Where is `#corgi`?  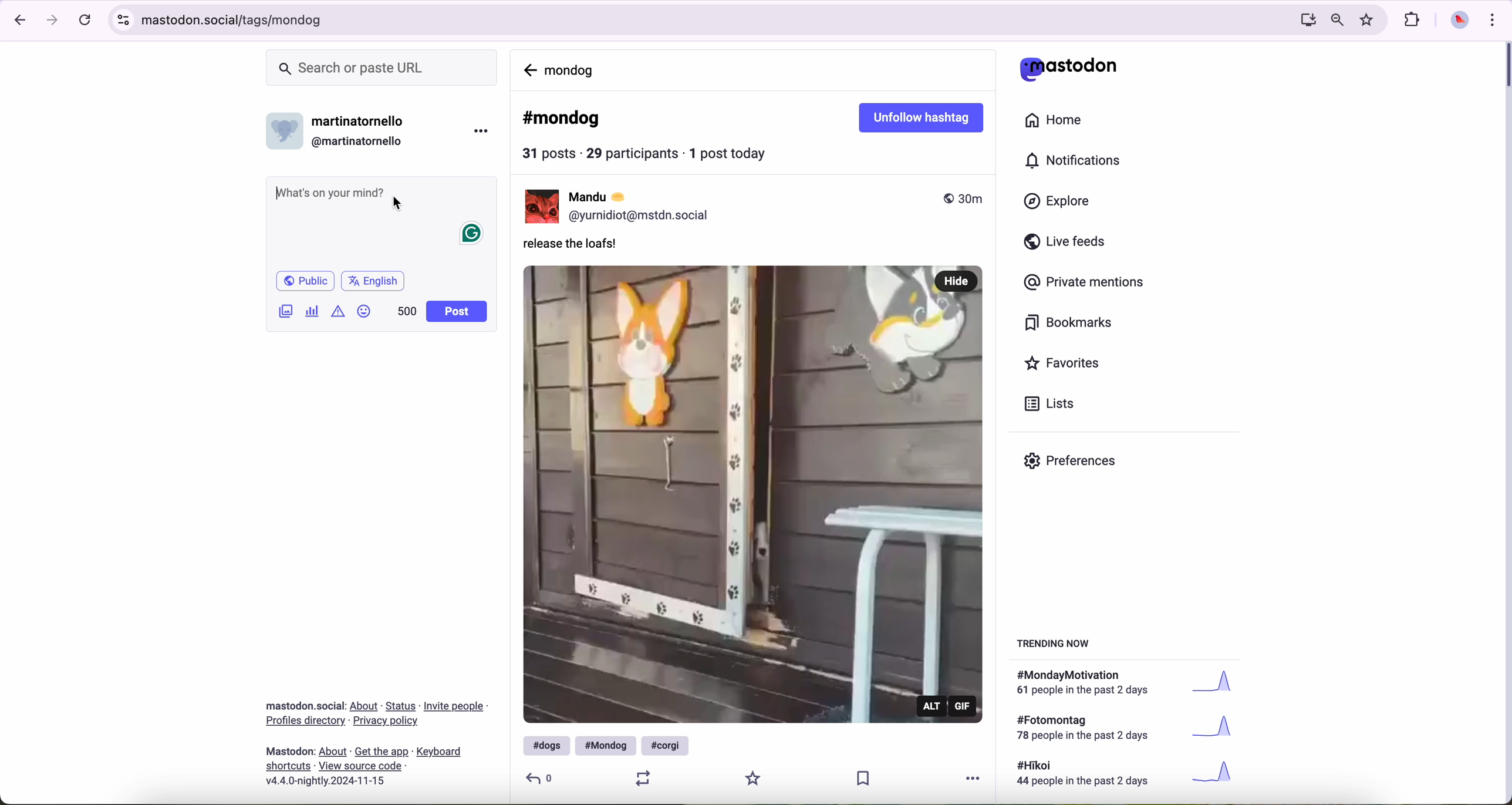
#corgi is located at coordinates (667, 745).